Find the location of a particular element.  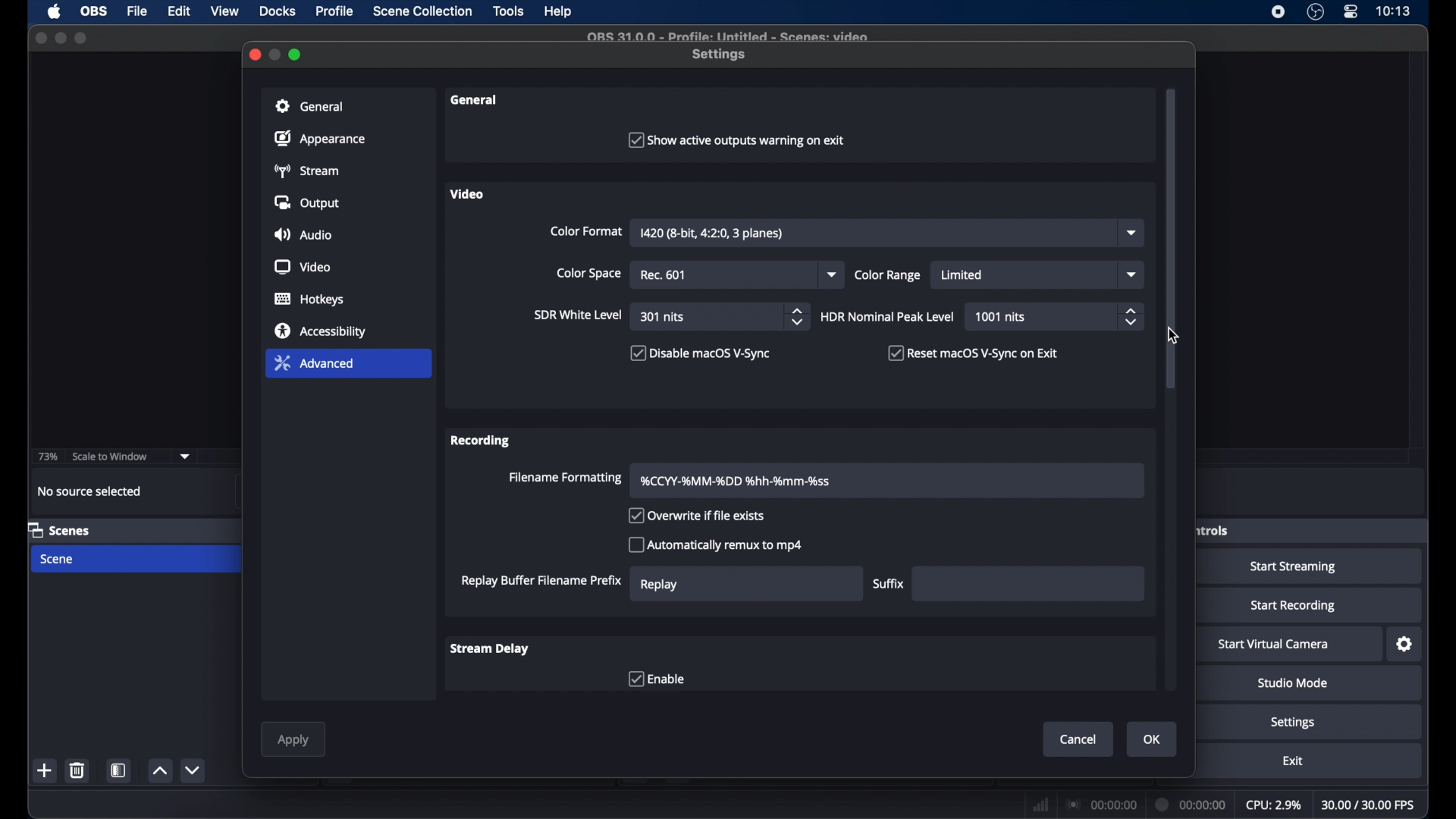

video is located at coordinates (467, 194).